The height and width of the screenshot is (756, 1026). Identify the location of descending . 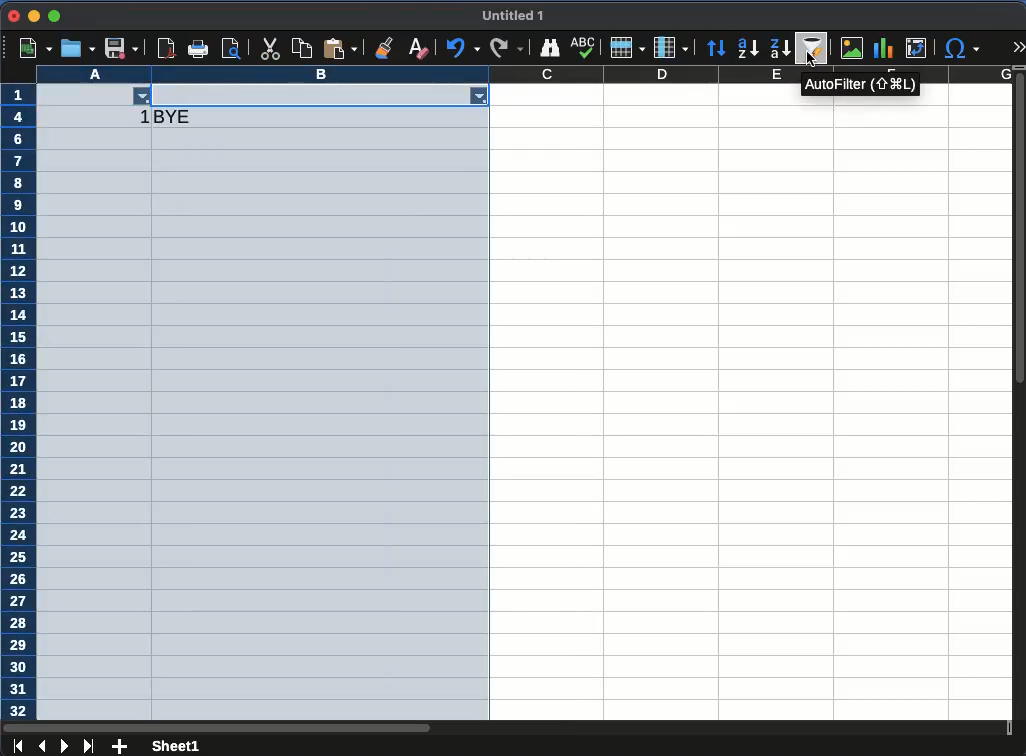
(782, 49).